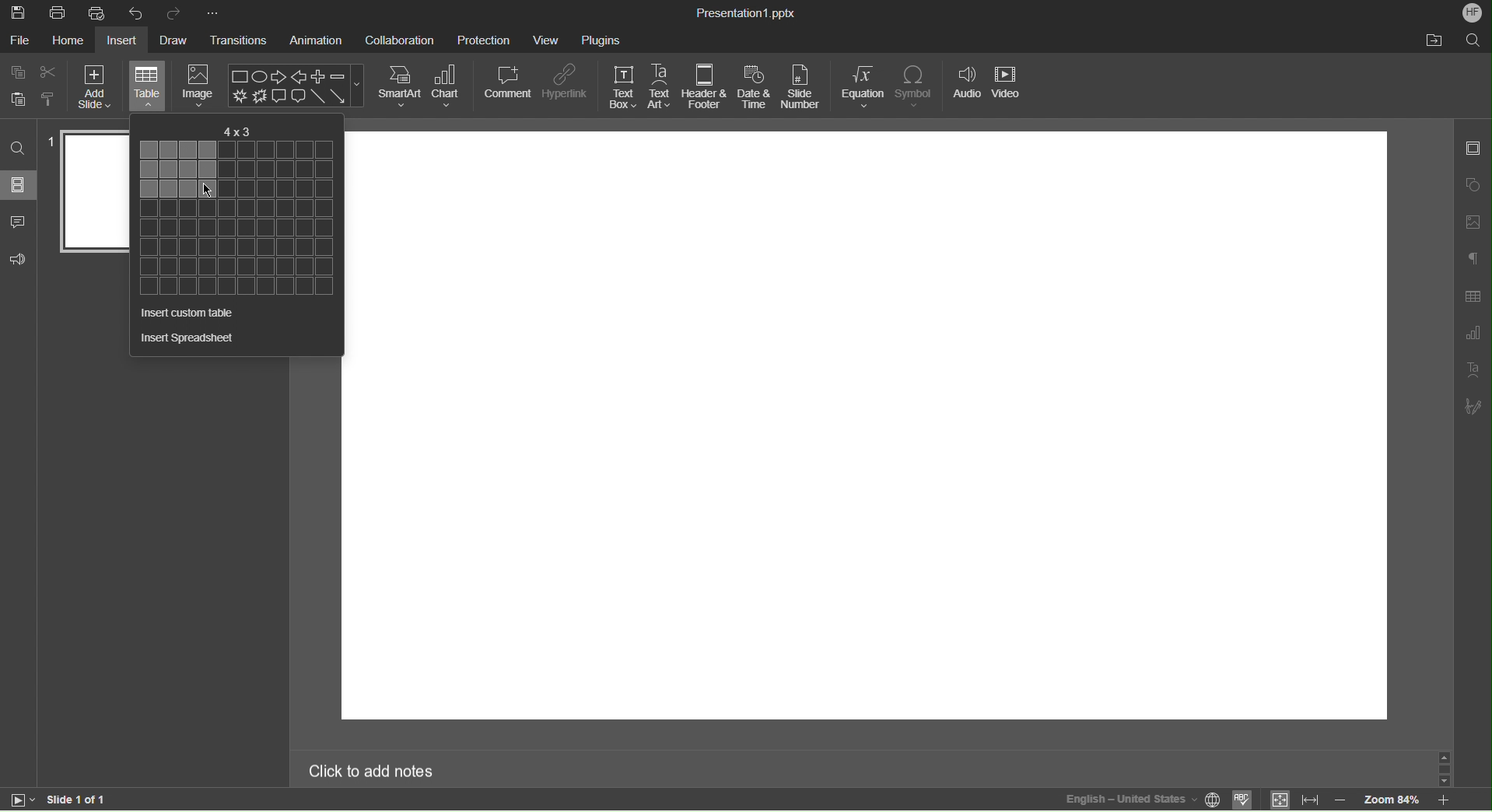 The image size is (1492, 812). What do you see at coordinates (601, 38) in the screenshot?
I see `Plugins` at bounding box center [601, 38].